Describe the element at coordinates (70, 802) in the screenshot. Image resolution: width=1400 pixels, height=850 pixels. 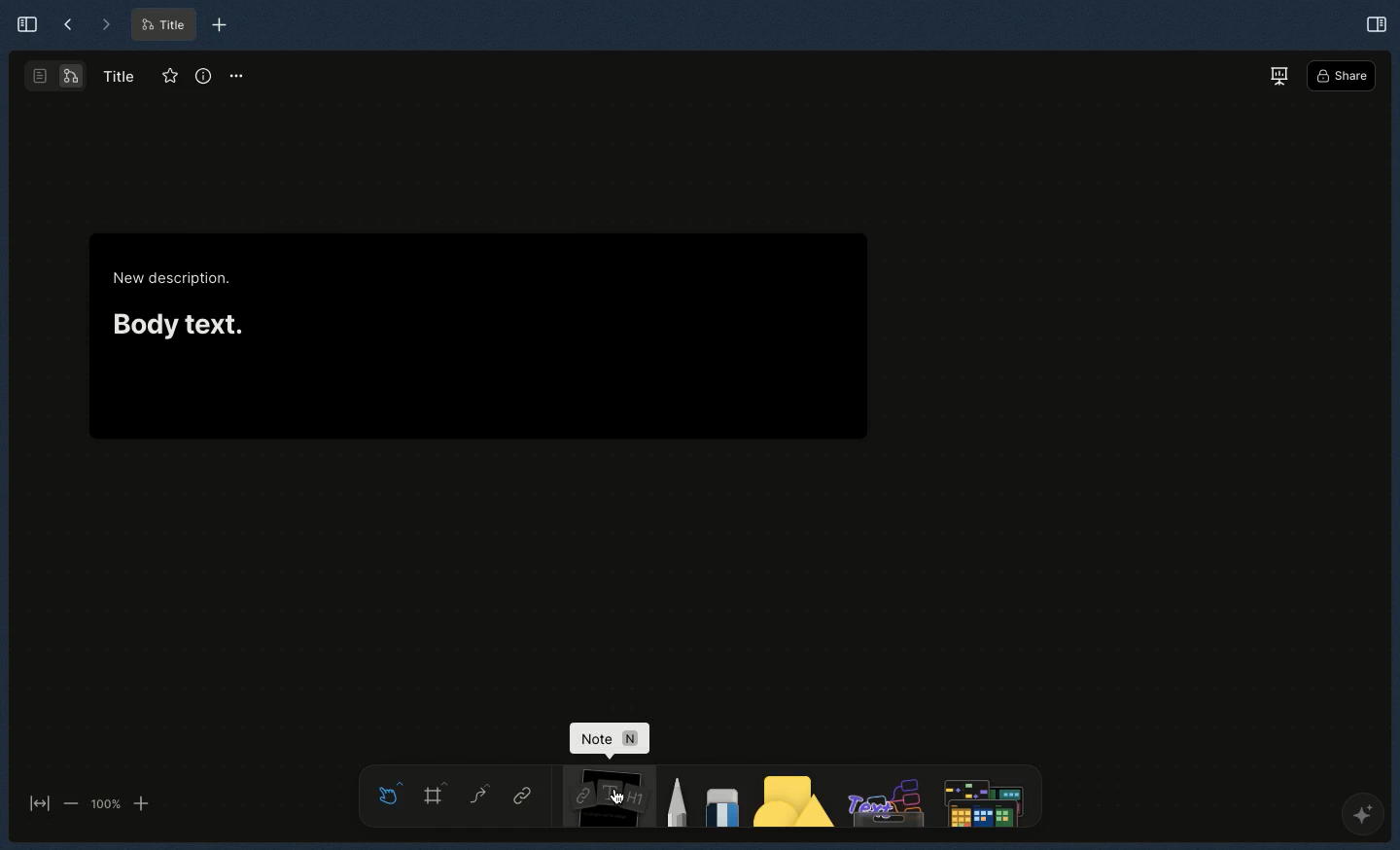
I see `zoom out` at that location.